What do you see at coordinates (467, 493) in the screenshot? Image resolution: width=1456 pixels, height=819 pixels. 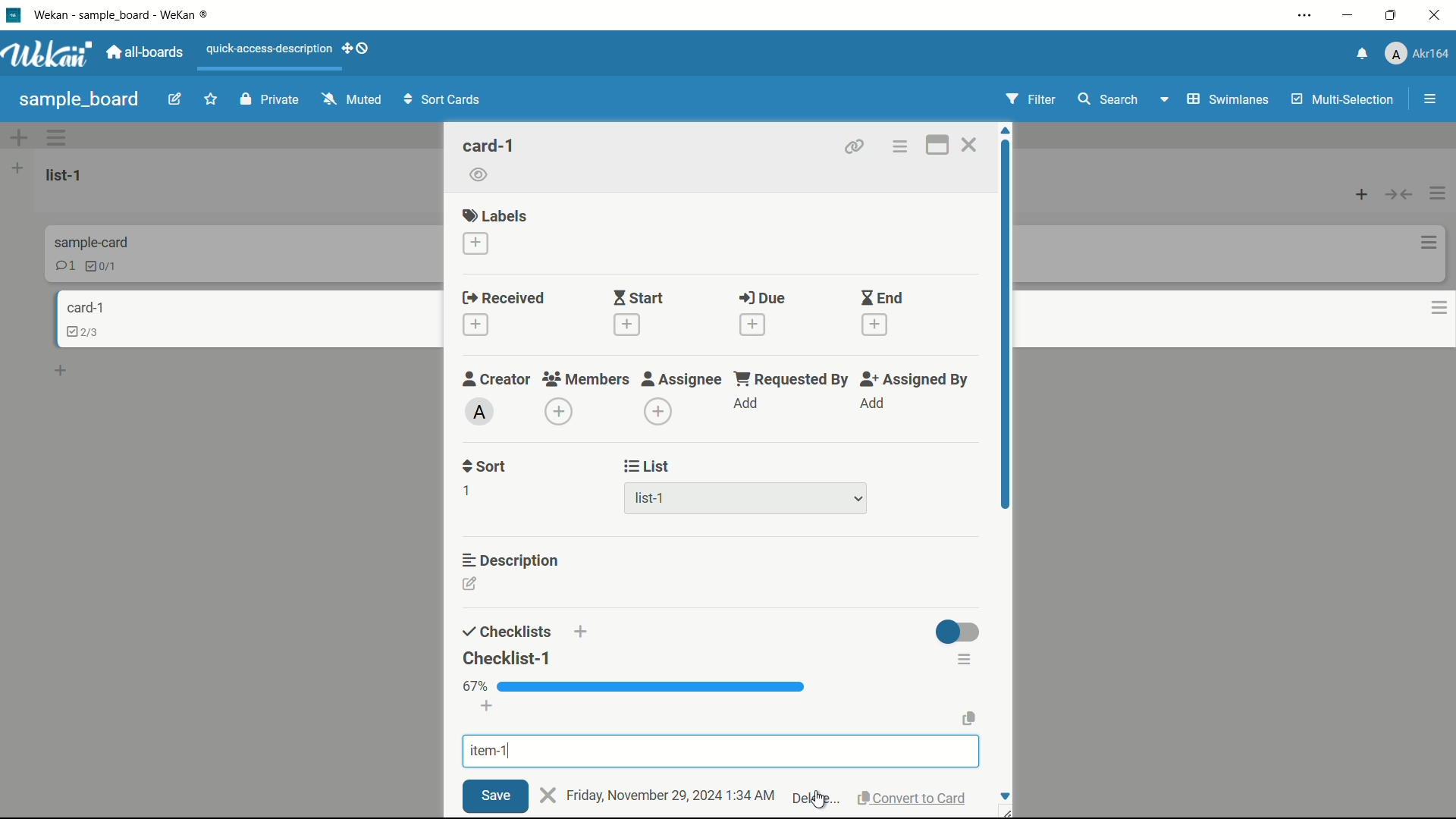 I see `1` at bounding box center [467, 493].